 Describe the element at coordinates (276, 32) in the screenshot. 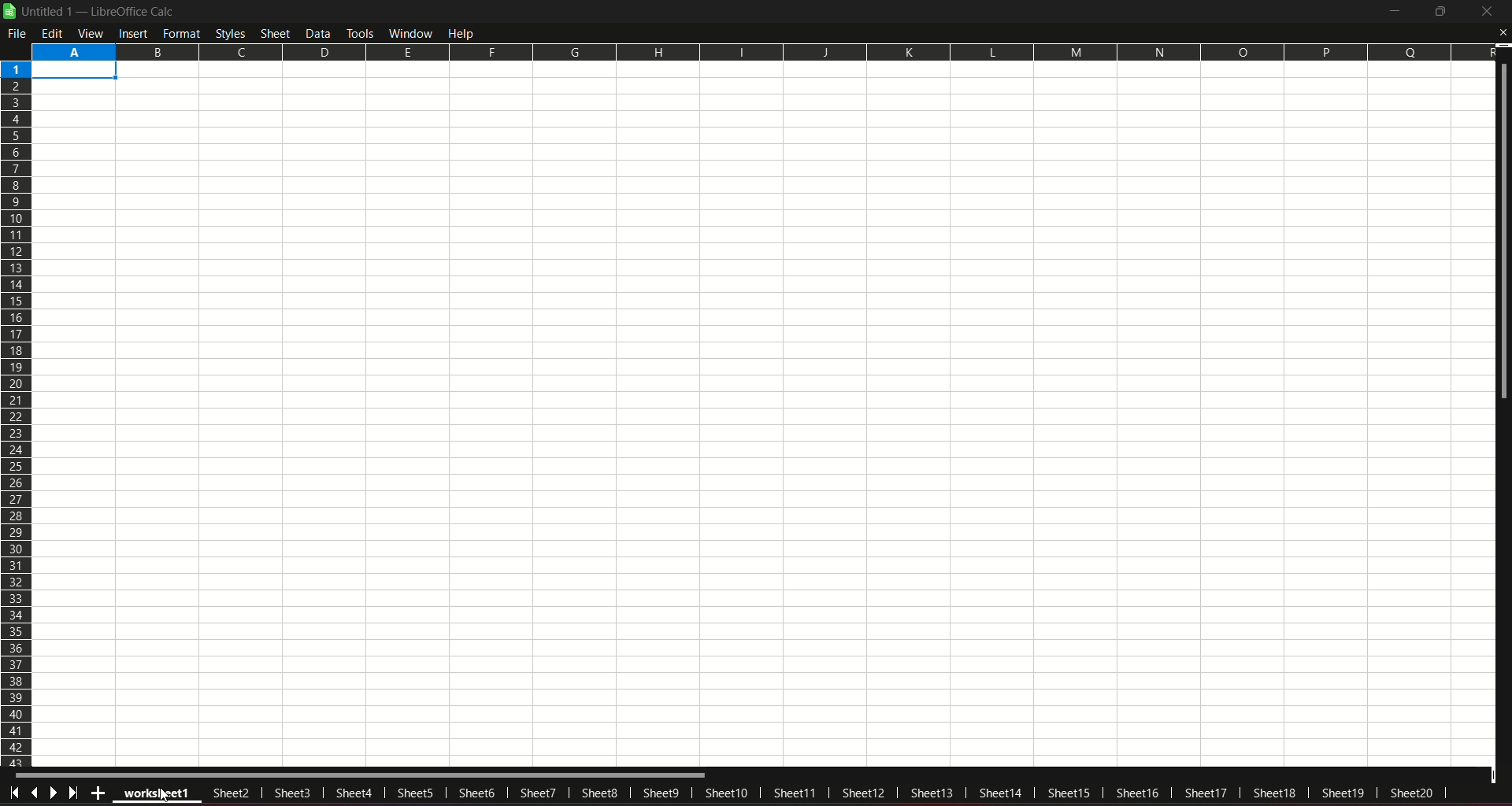

I see `Sheet` at that location.